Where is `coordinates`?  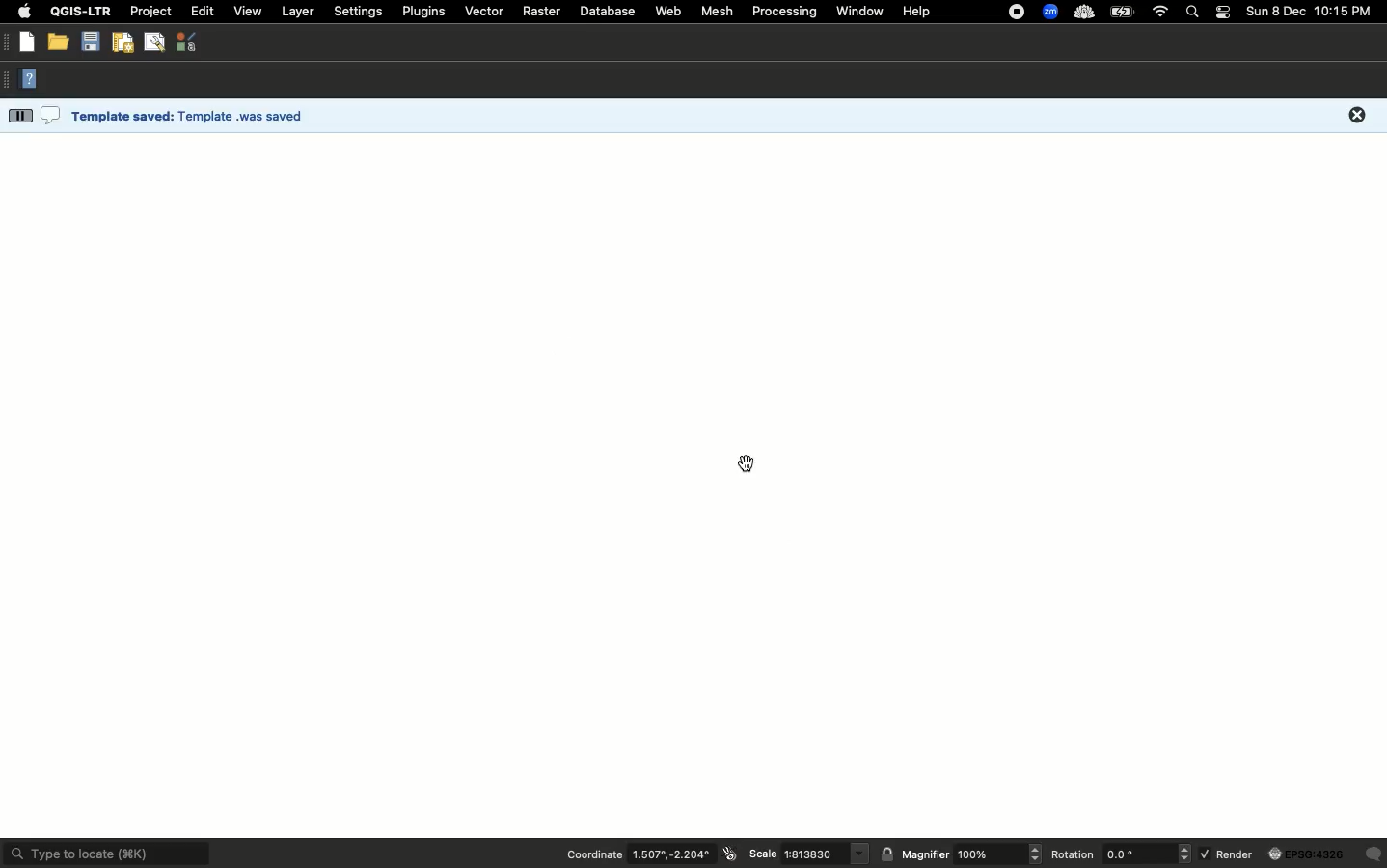 coordinates is located at coordinates (670, 855).